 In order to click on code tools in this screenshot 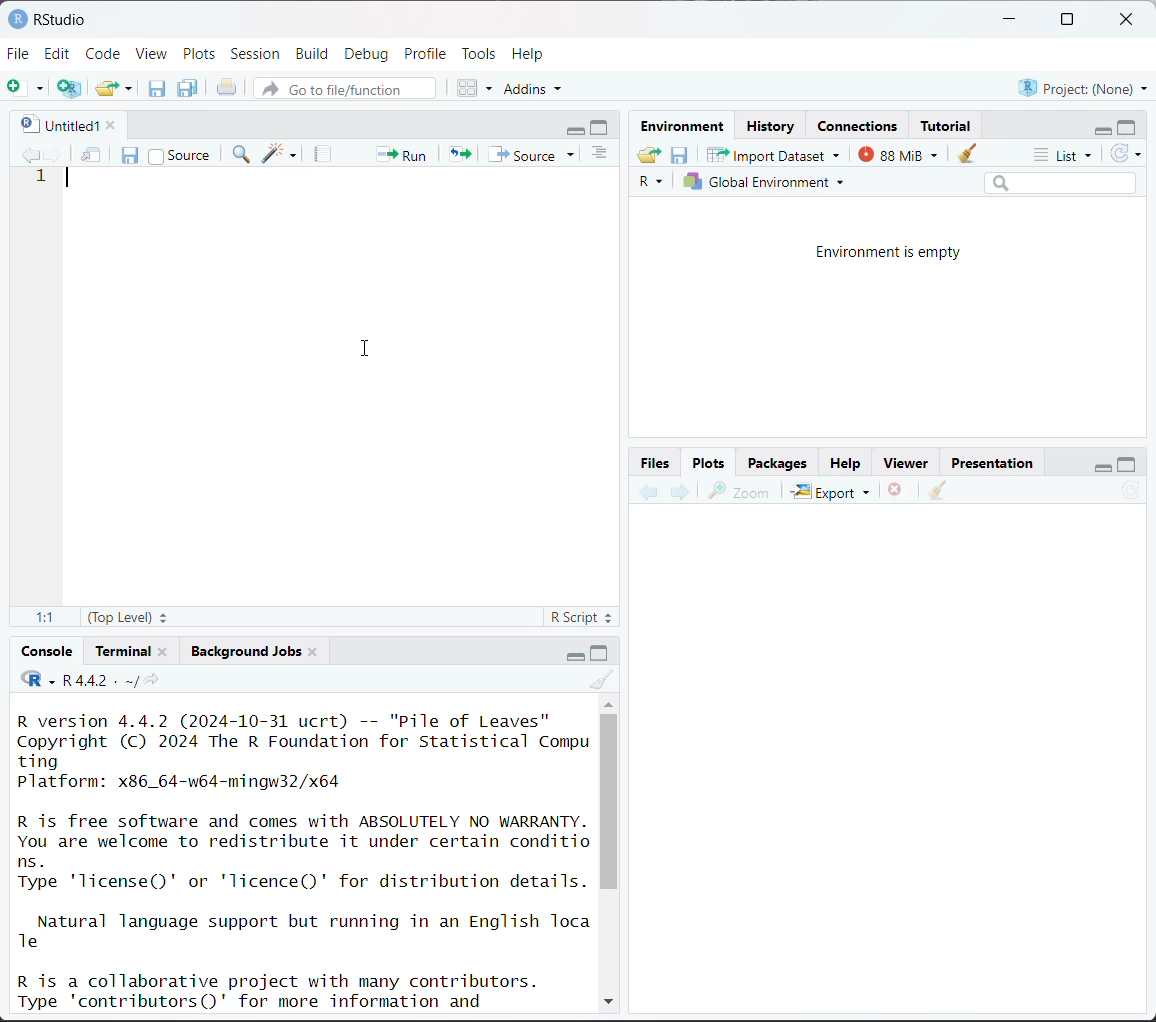, I will do `click(280, 153)`.